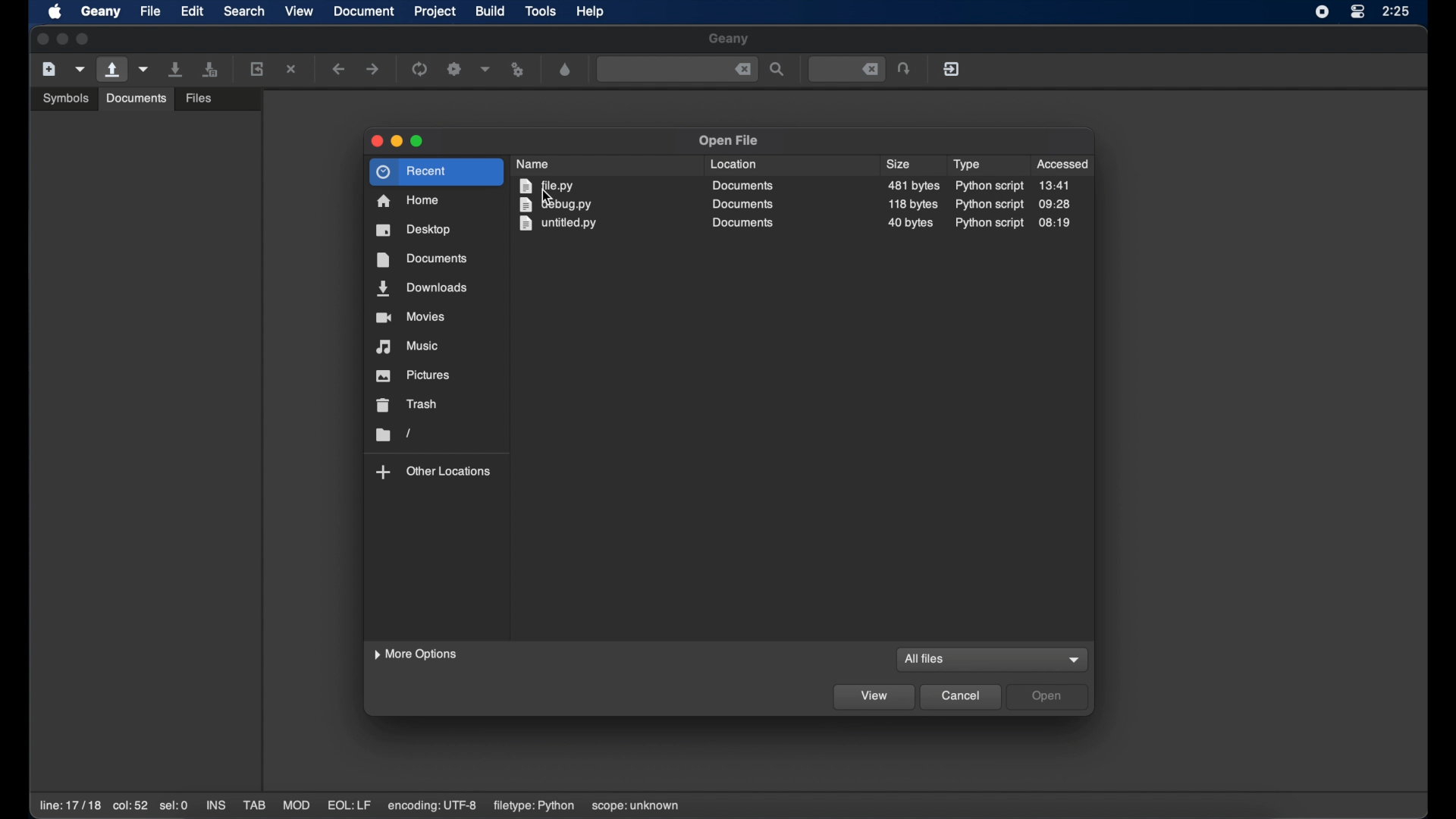 The width and height of the screenshot is (1456, 819). What do you see at coordinates (913, 223) in the screenshot?
I see `size` at bounding box center [913, 223].